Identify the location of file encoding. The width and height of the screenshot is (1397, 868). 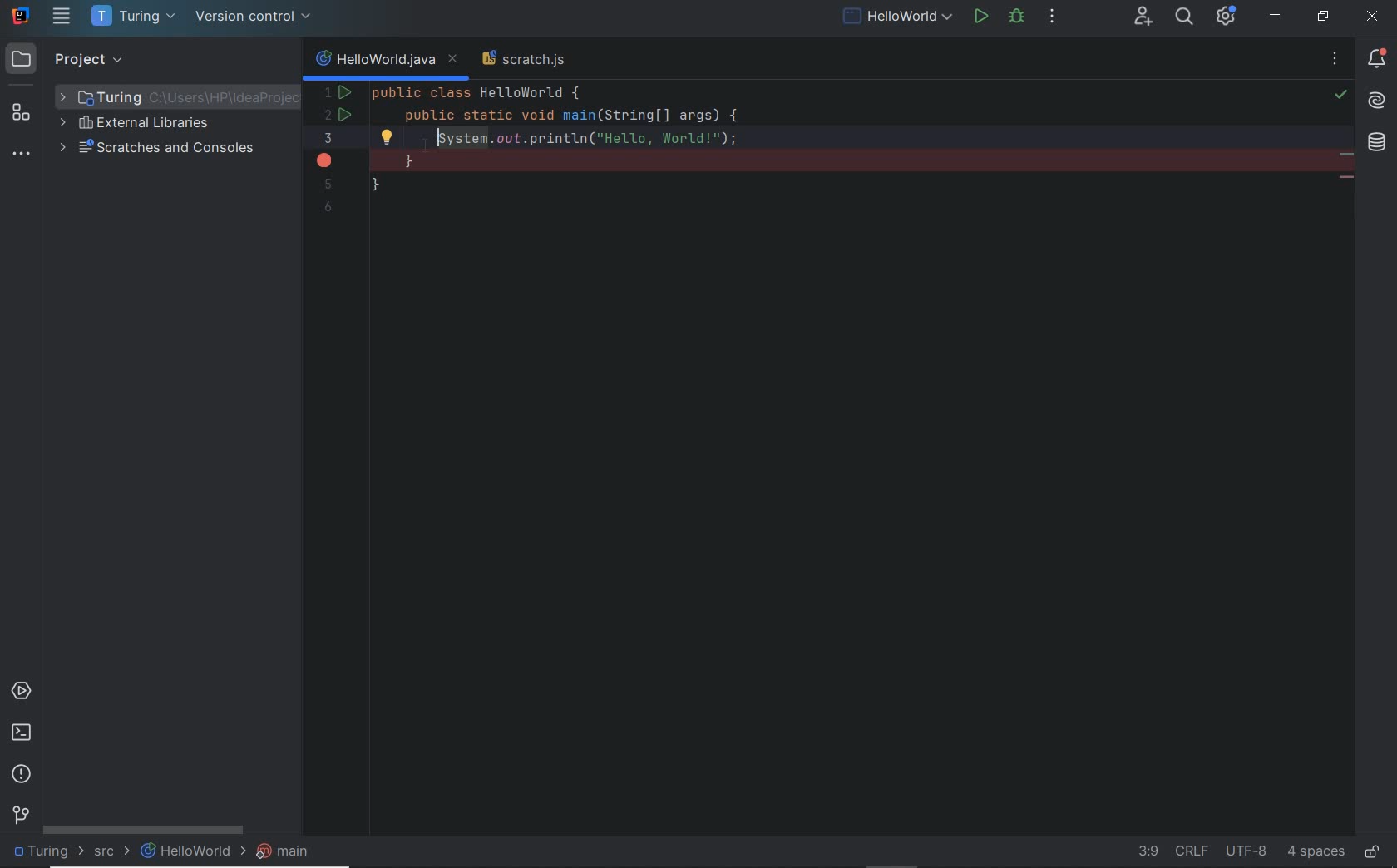
(1249, 851).